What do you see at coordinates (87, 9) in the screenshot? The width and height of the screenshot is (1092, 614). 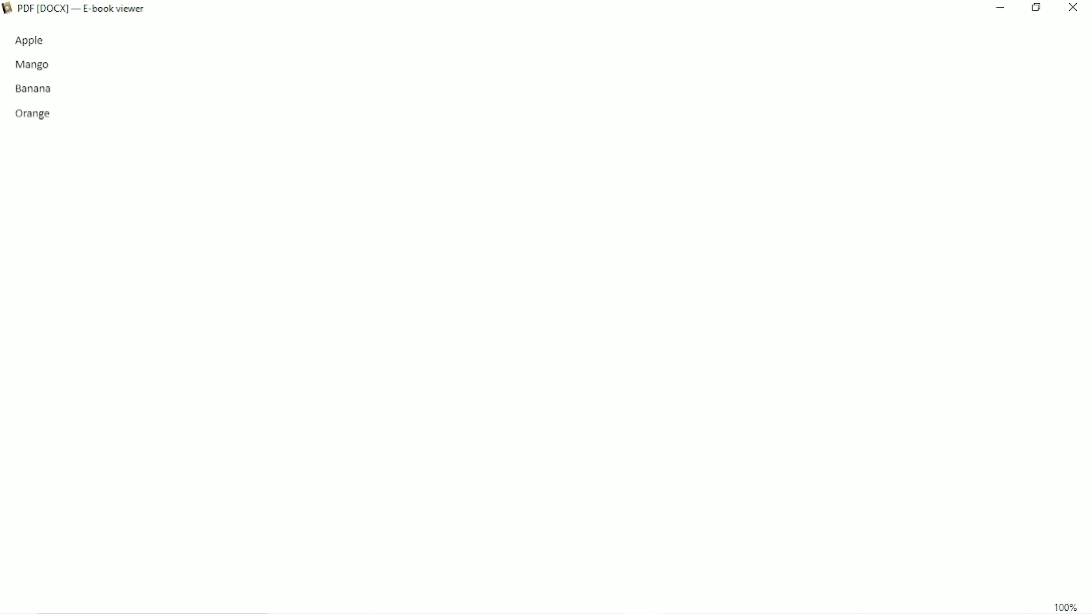 I see `Title` at bounding box center [87, 9].